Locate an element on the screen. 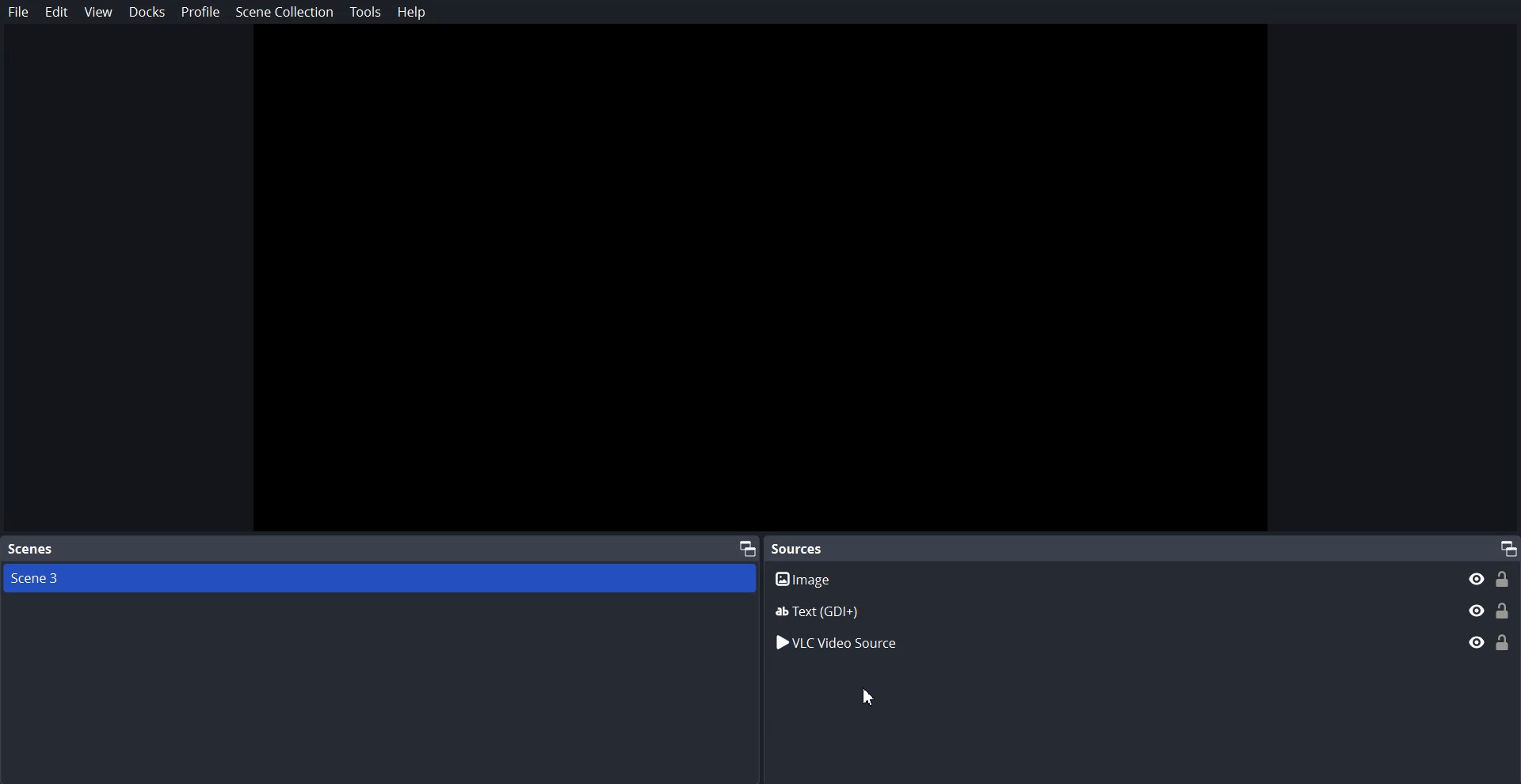 The image size is (1521, 784). Sources is located at coordinates (802, 548).